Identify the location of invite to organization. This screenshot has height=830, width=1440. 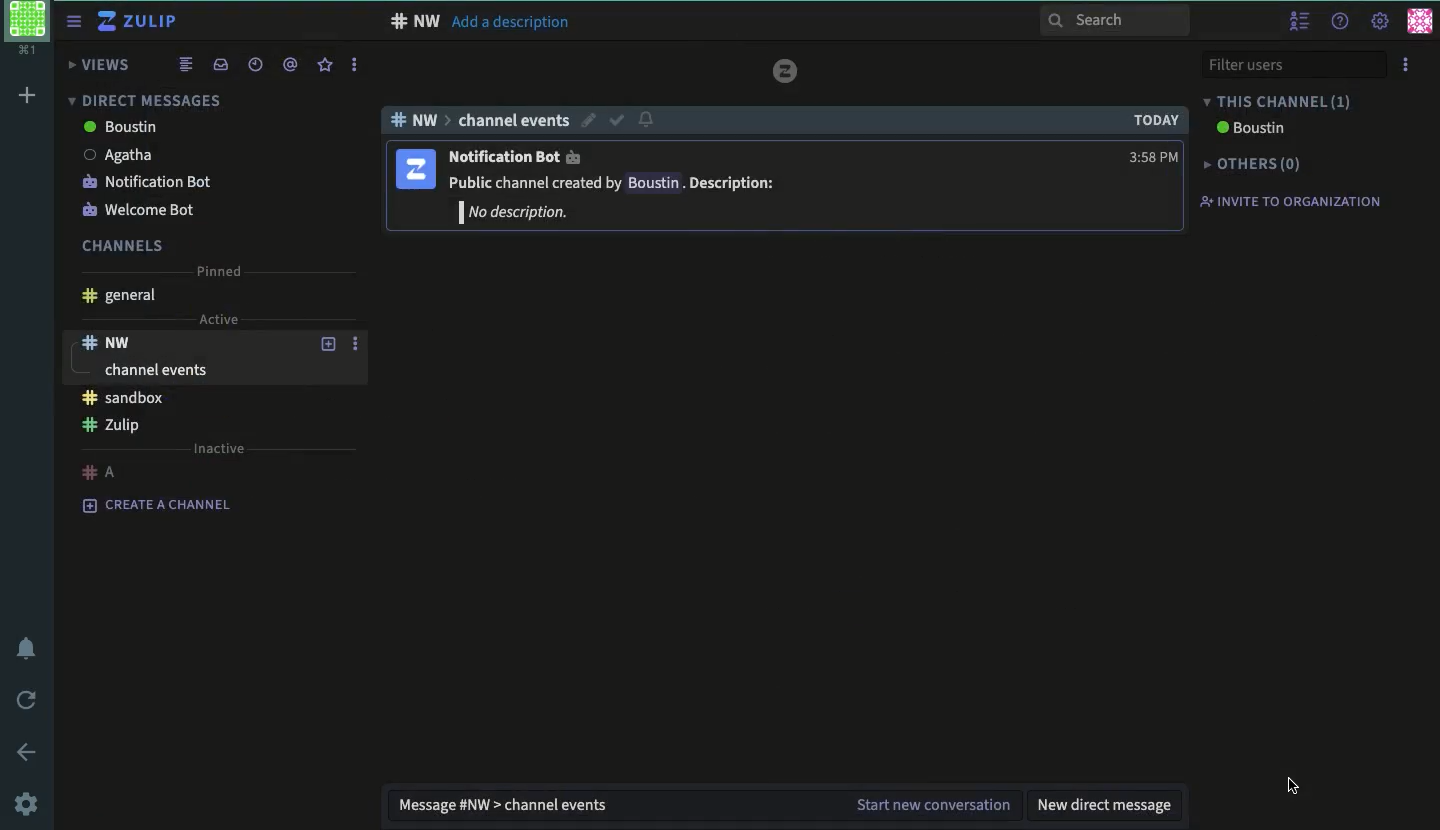
(1289, 203).